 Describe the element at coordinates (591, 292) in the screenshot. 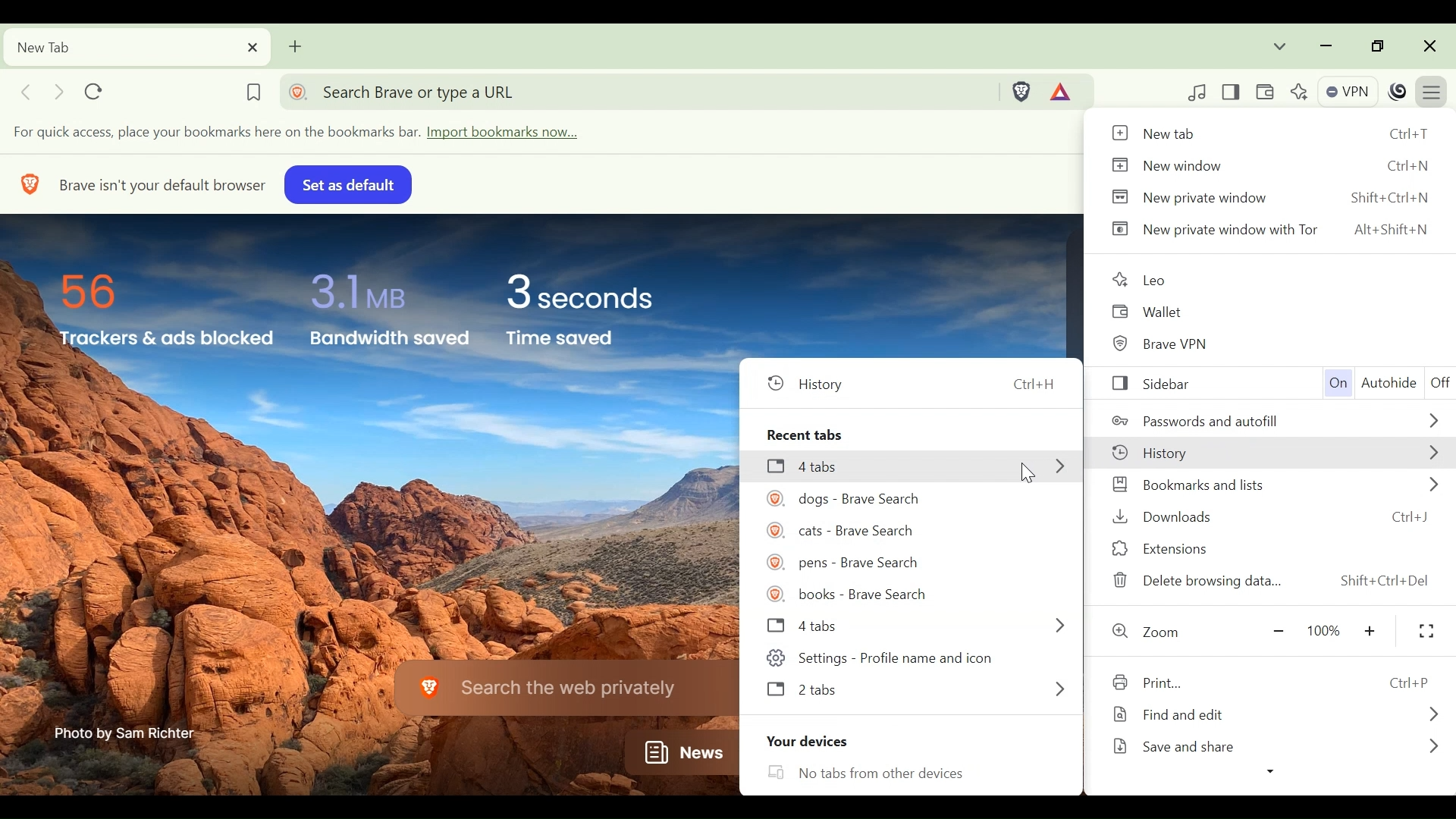

I see `3 seconds` at that location.